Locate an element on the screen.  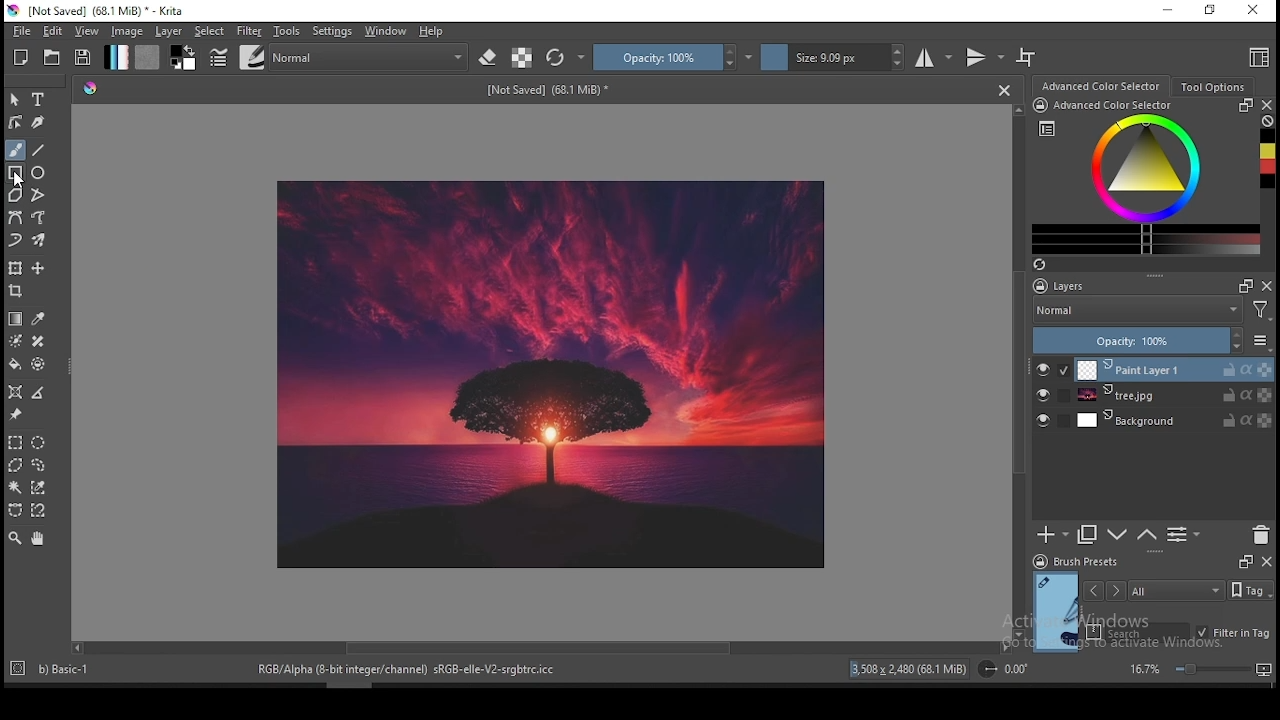
rectangle tool is located at coordinates (14, 173).